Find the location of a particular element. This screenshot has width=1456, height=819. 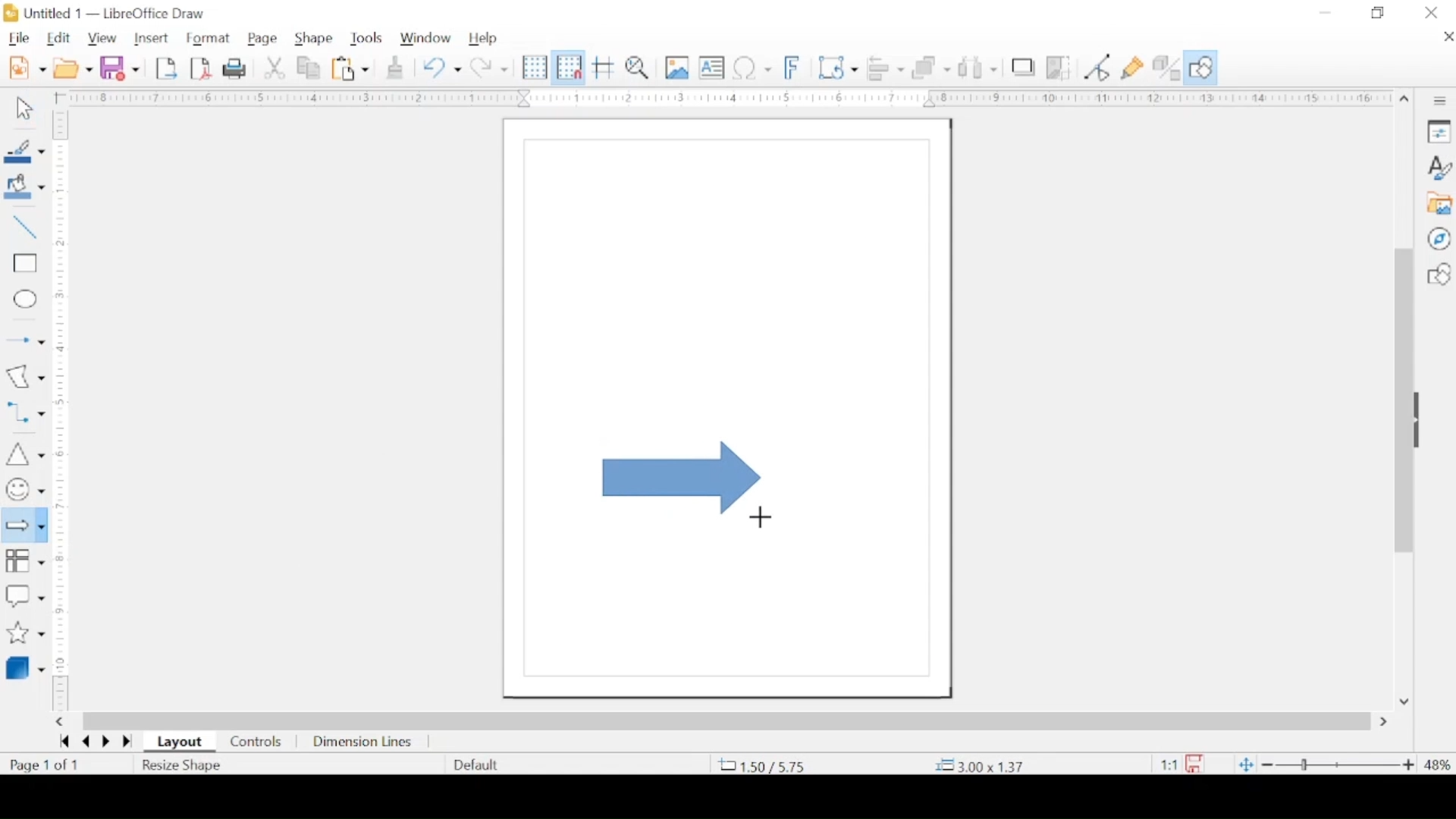

select is located at coordinates (24, 108).